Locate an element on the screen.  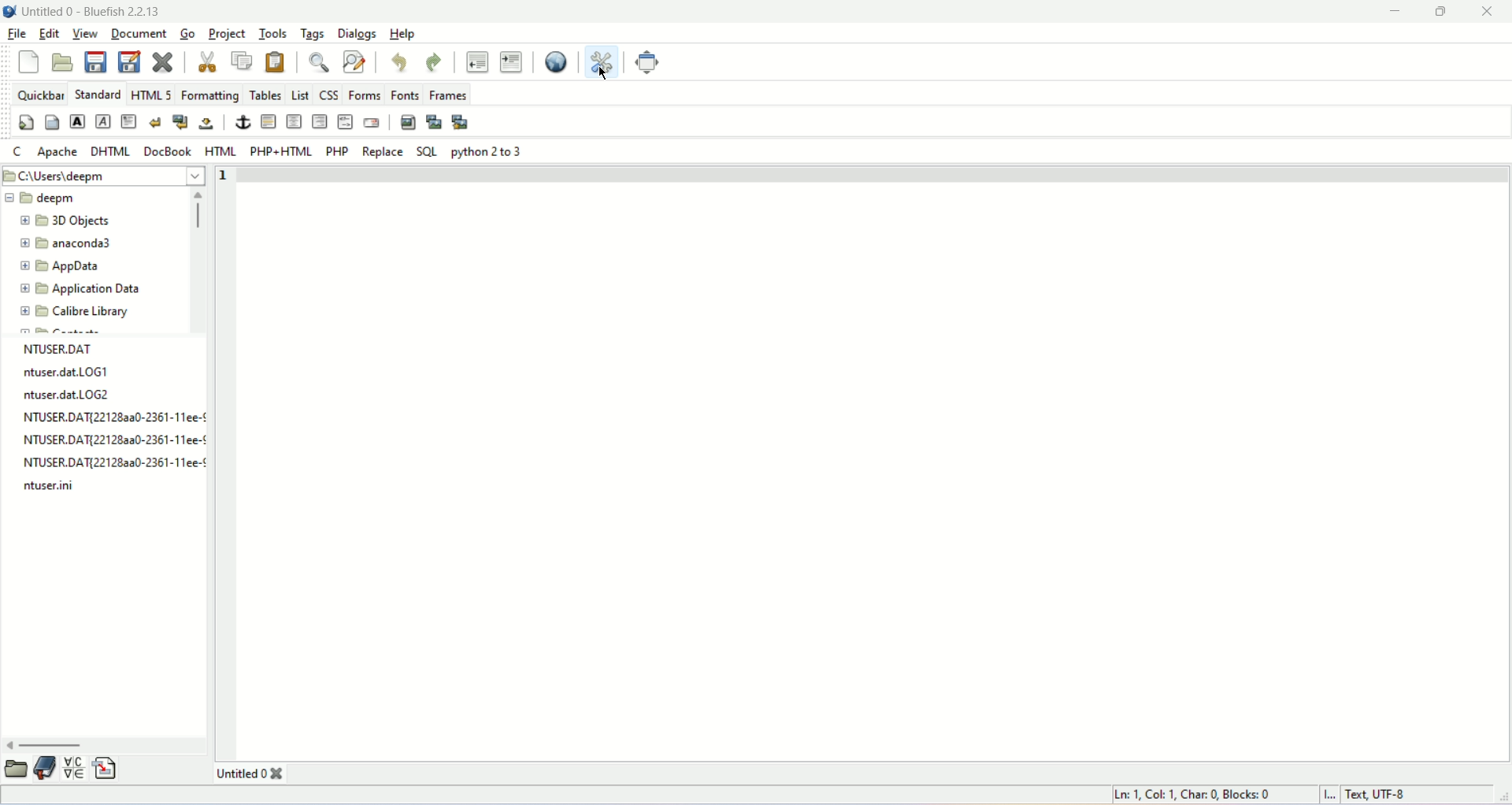
workspace is located at coordinates (877, 461).